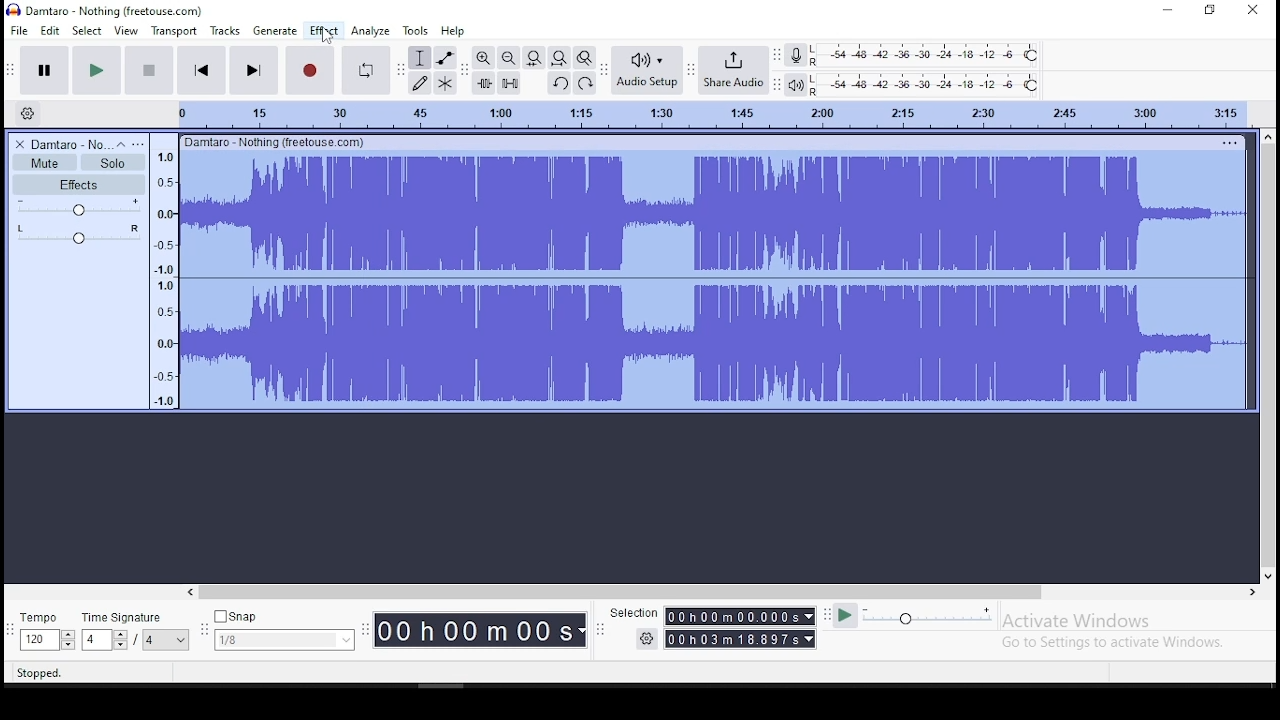 Image resolution: width=1280 pixels, height=720 pixels. I want to click on , so click(825, 614).